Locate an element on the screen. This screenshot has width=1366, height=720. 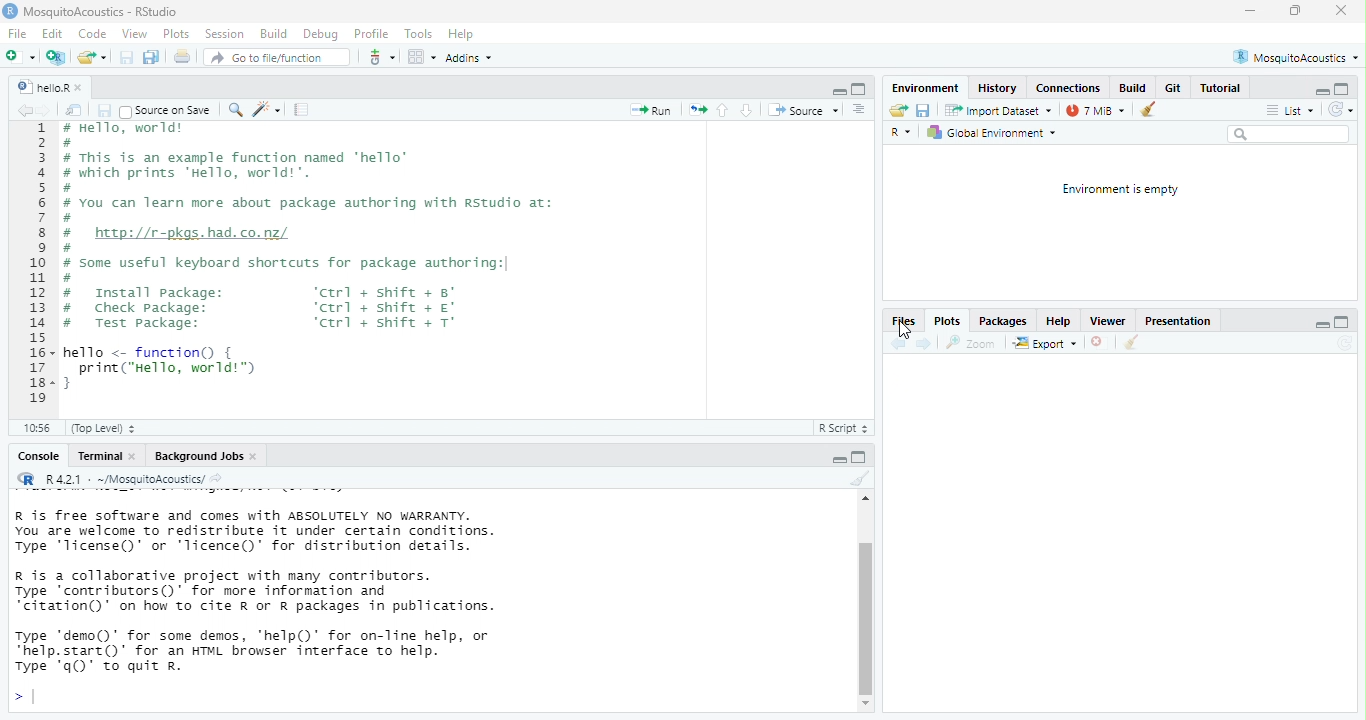
close is located at coordinates (1102, 344).